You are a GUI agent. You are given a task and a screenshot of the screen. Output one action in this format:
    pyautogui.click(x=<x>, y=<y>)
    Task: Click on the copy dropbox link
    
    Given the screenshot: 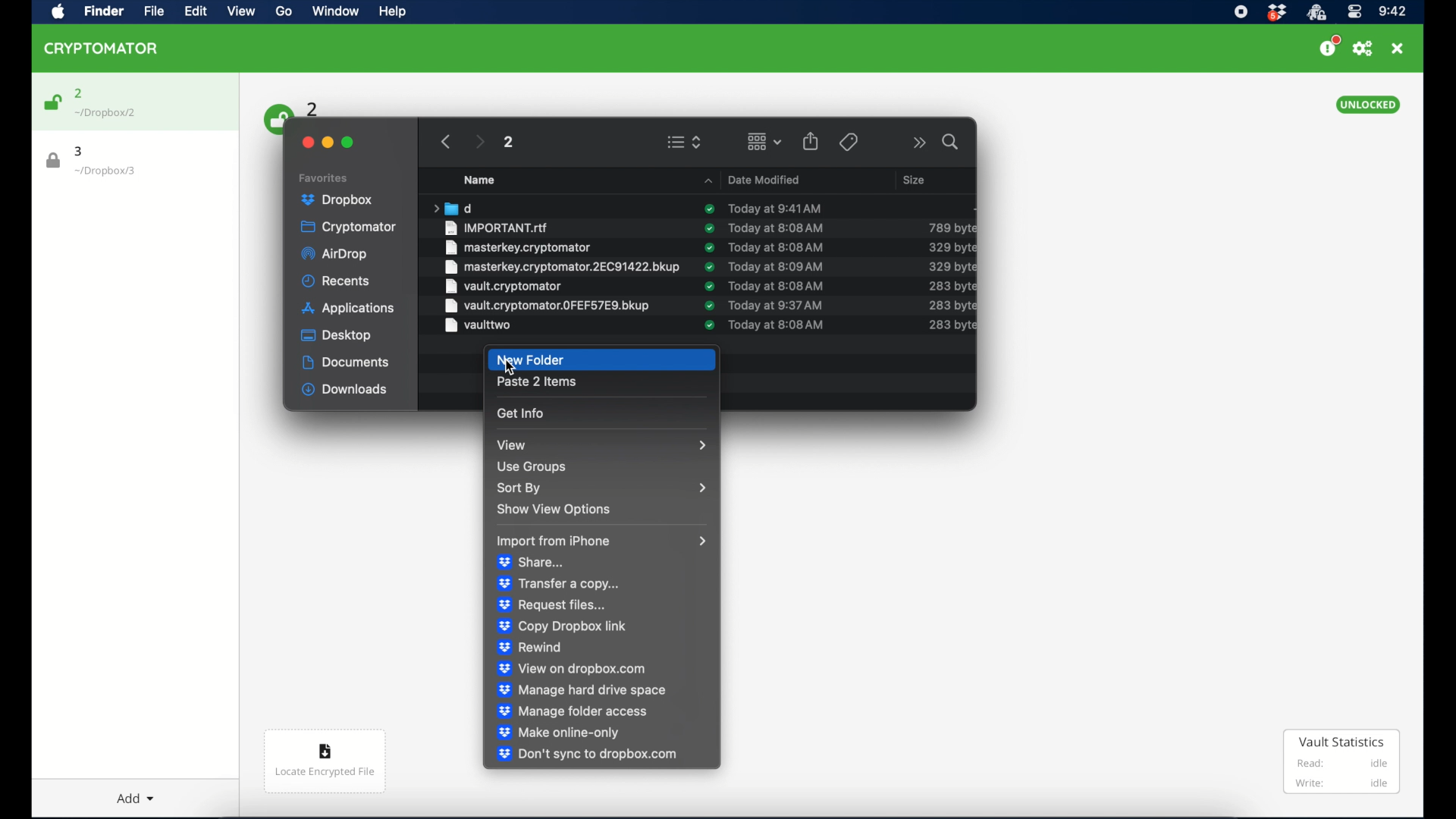 What is the action you would take?
    pyautogui.click(x=562, y=627)
    